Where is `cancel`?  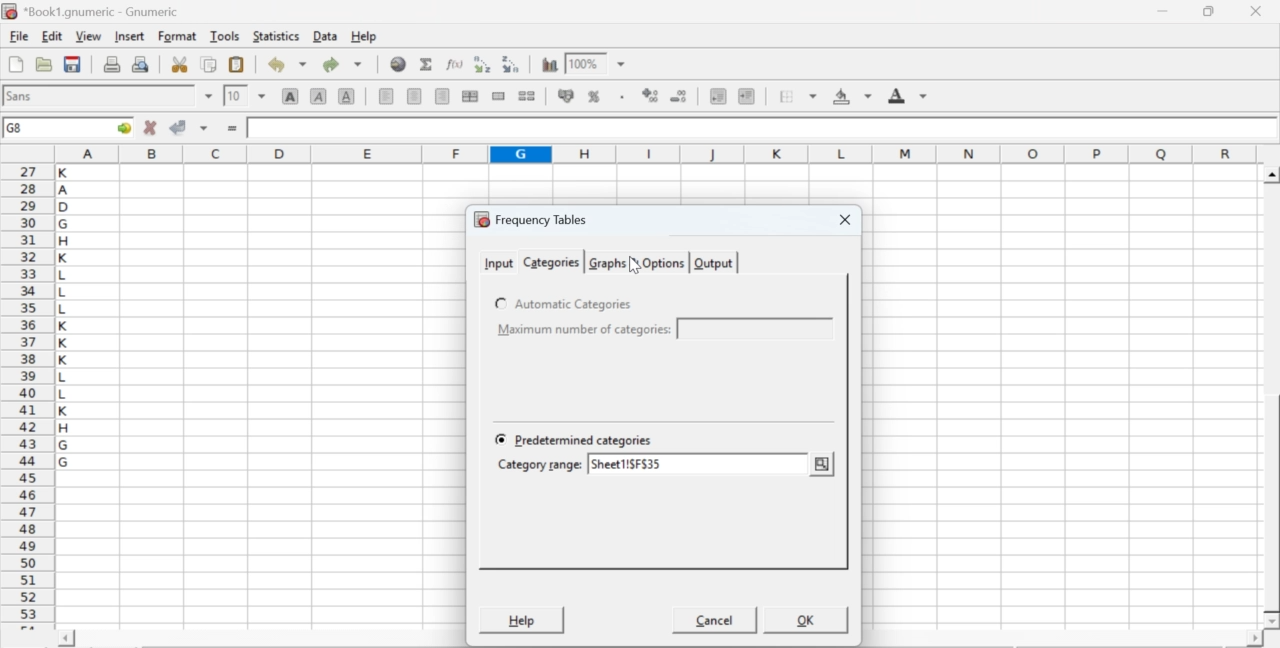
cancel is located at coordinates (715, 623).